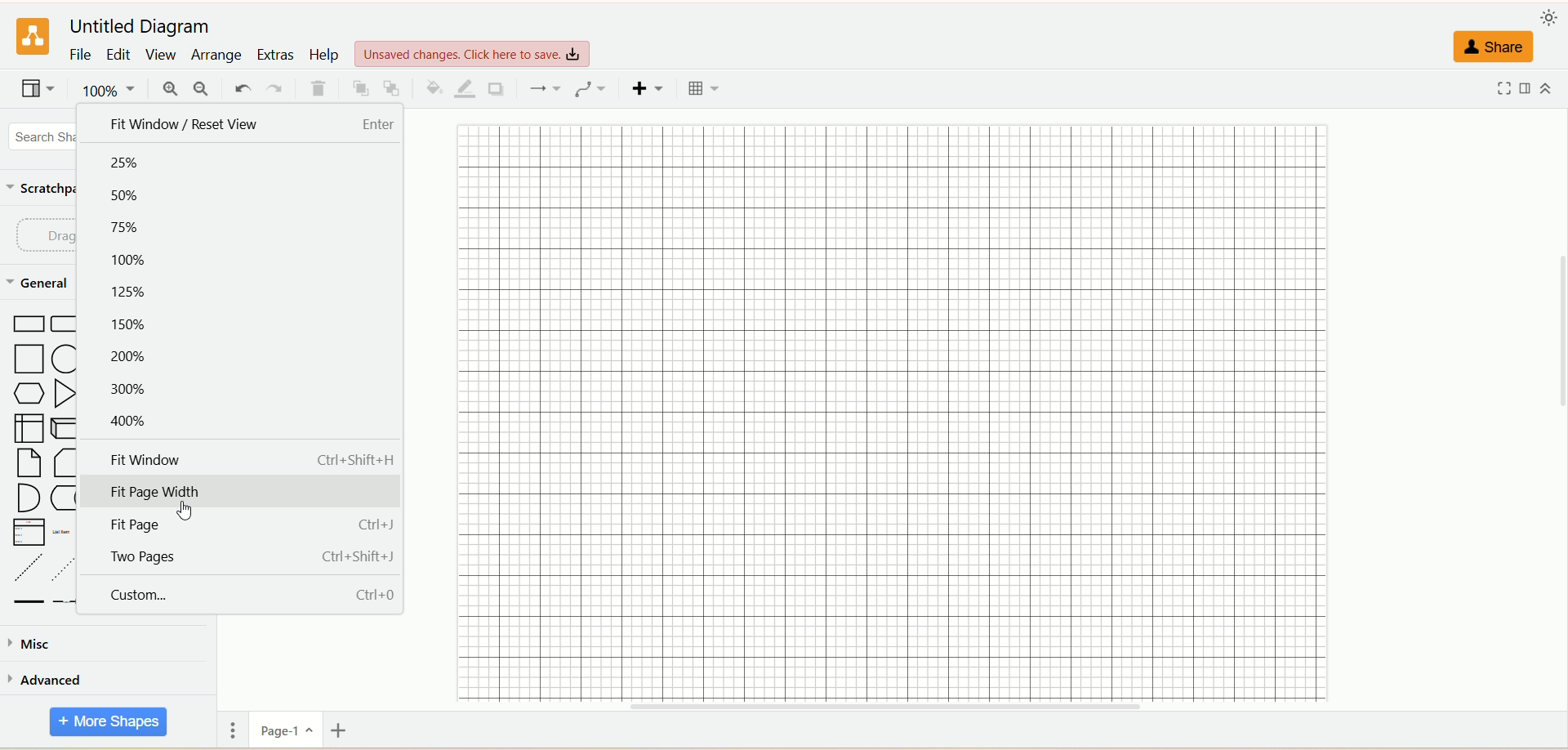 The width and height of the screenshot is (1568, 750). I want to click on misc, so click(38, 645).